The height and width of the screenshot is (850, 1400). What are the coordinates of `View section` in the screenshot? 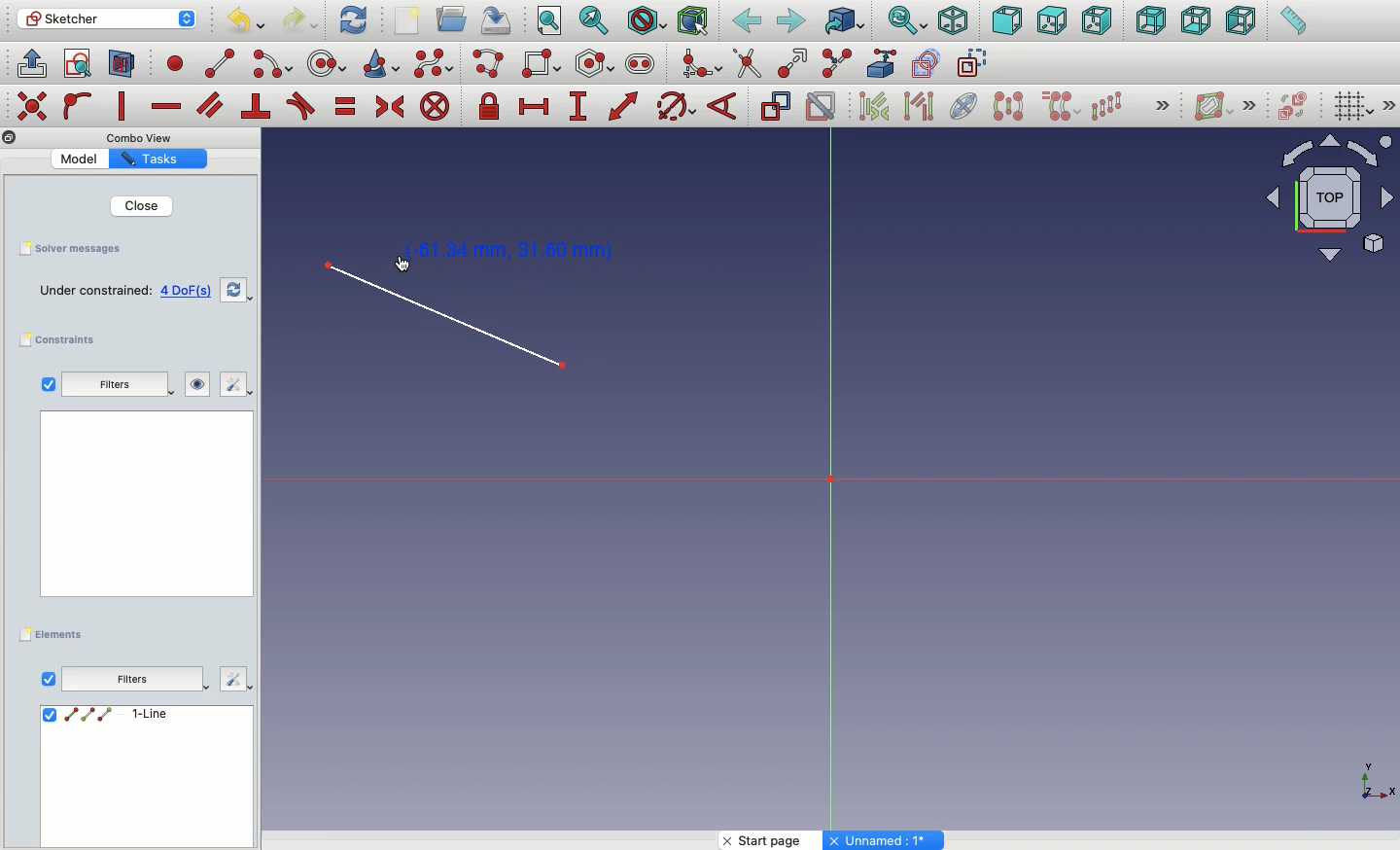 It's located at (122, 65).